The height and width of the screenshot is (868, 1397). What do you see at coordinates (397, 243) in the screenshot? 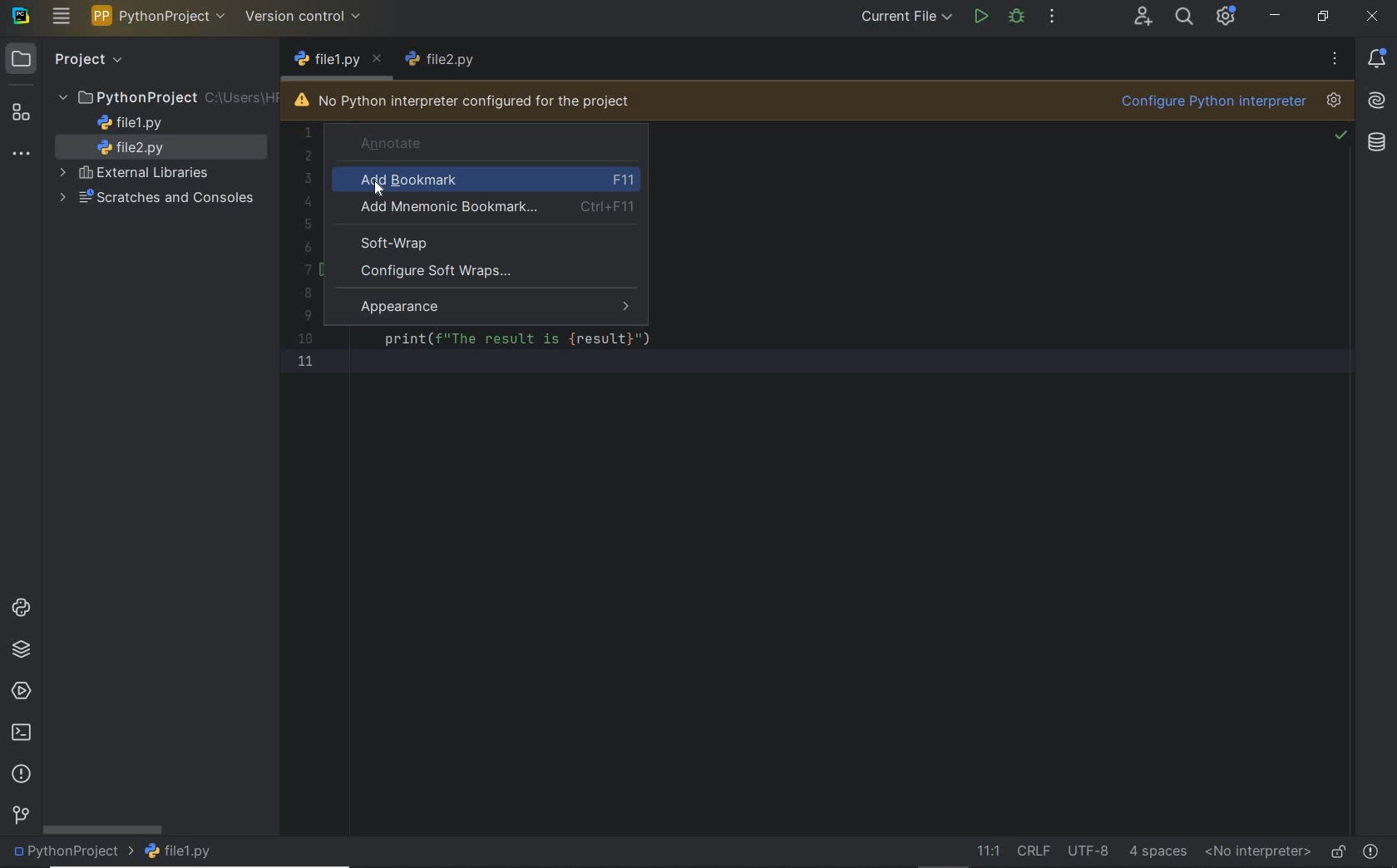
I see `soft-wrap` at bounding box center [397, 243].